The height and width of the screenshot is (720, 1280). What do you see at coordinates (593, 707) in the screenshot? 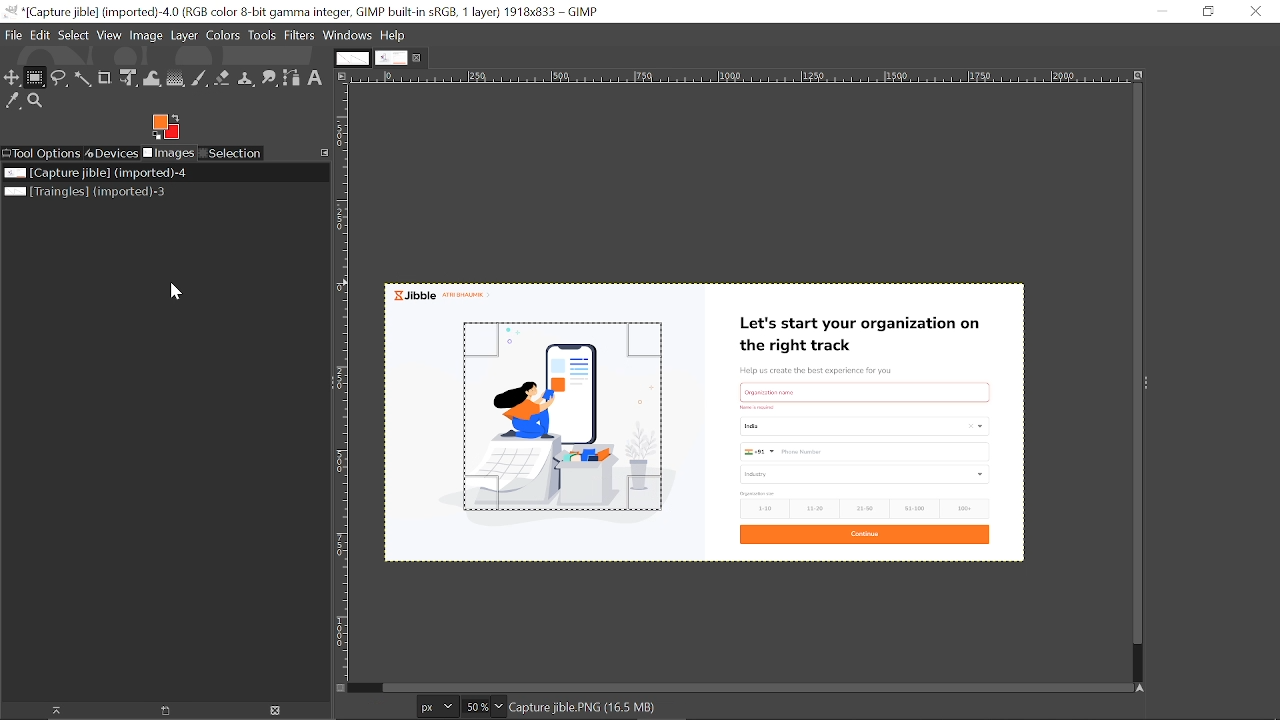
I see `Current image format and size` at bounding box center [593, 707].